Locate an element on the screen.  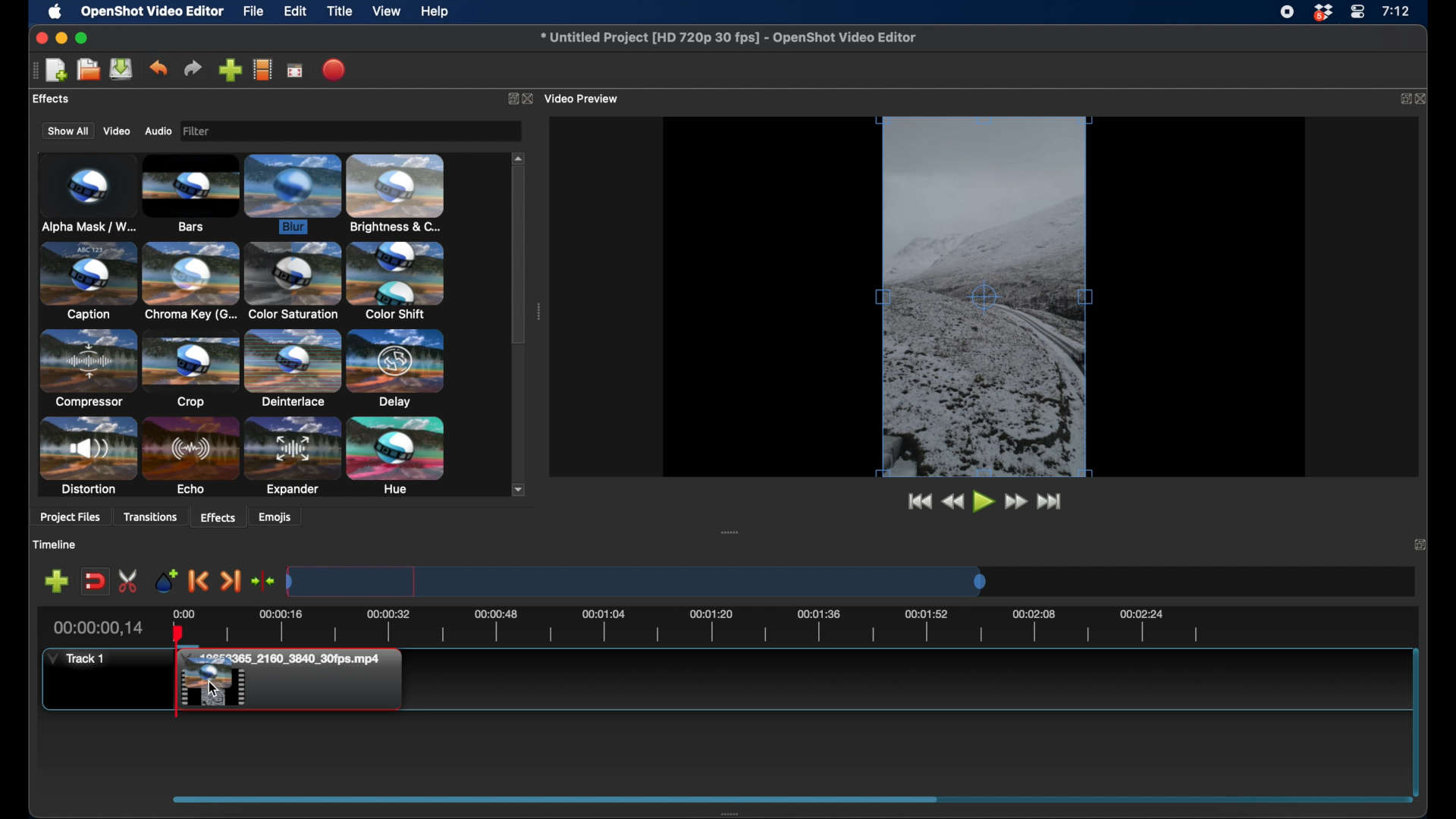
project files is located at coordinates (64, 99).